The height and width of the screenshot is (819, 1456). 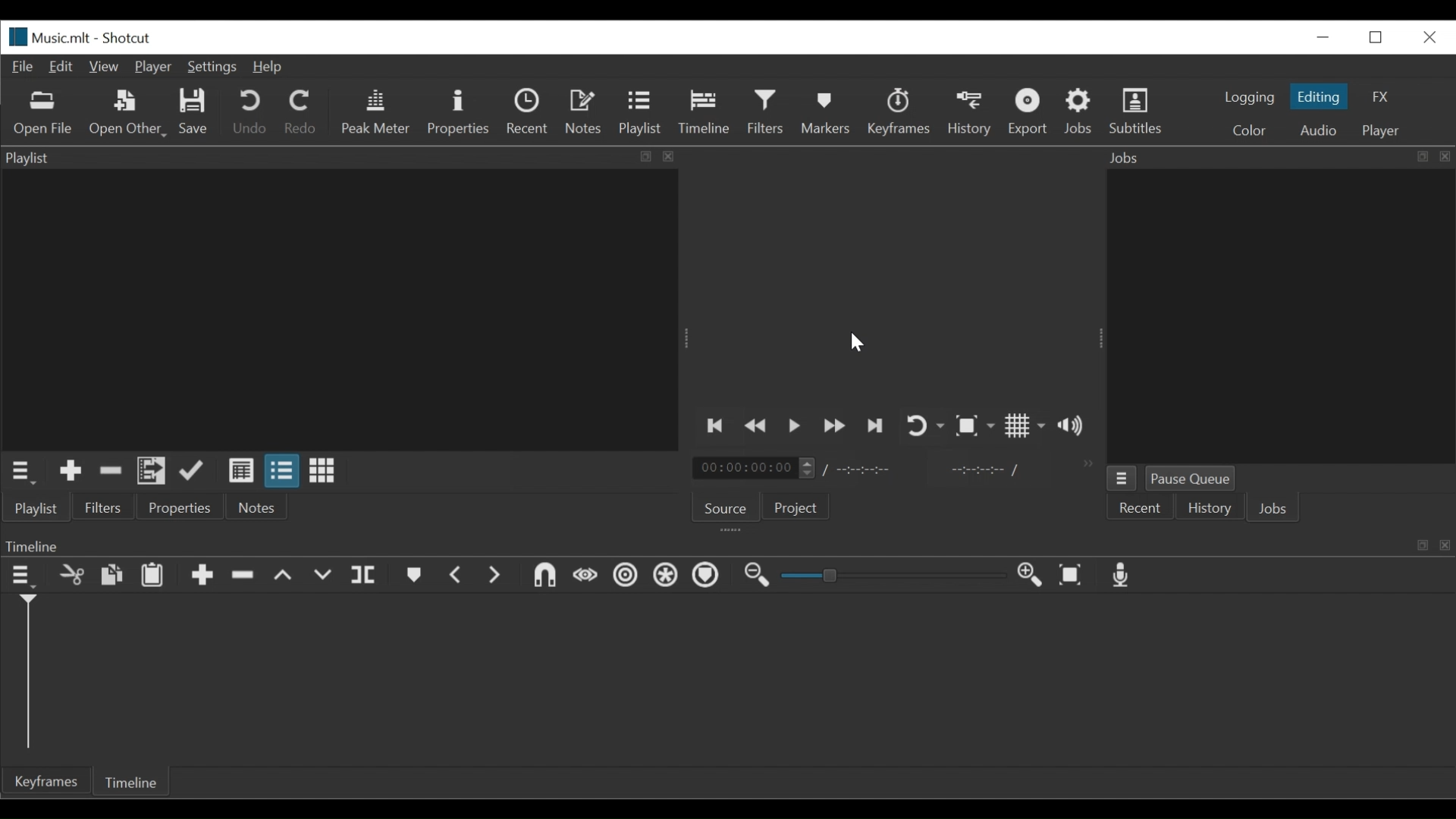 What do you see at coordinates (103, 67) in the screenshot?
I see `View` at bounding box center [103, 67].